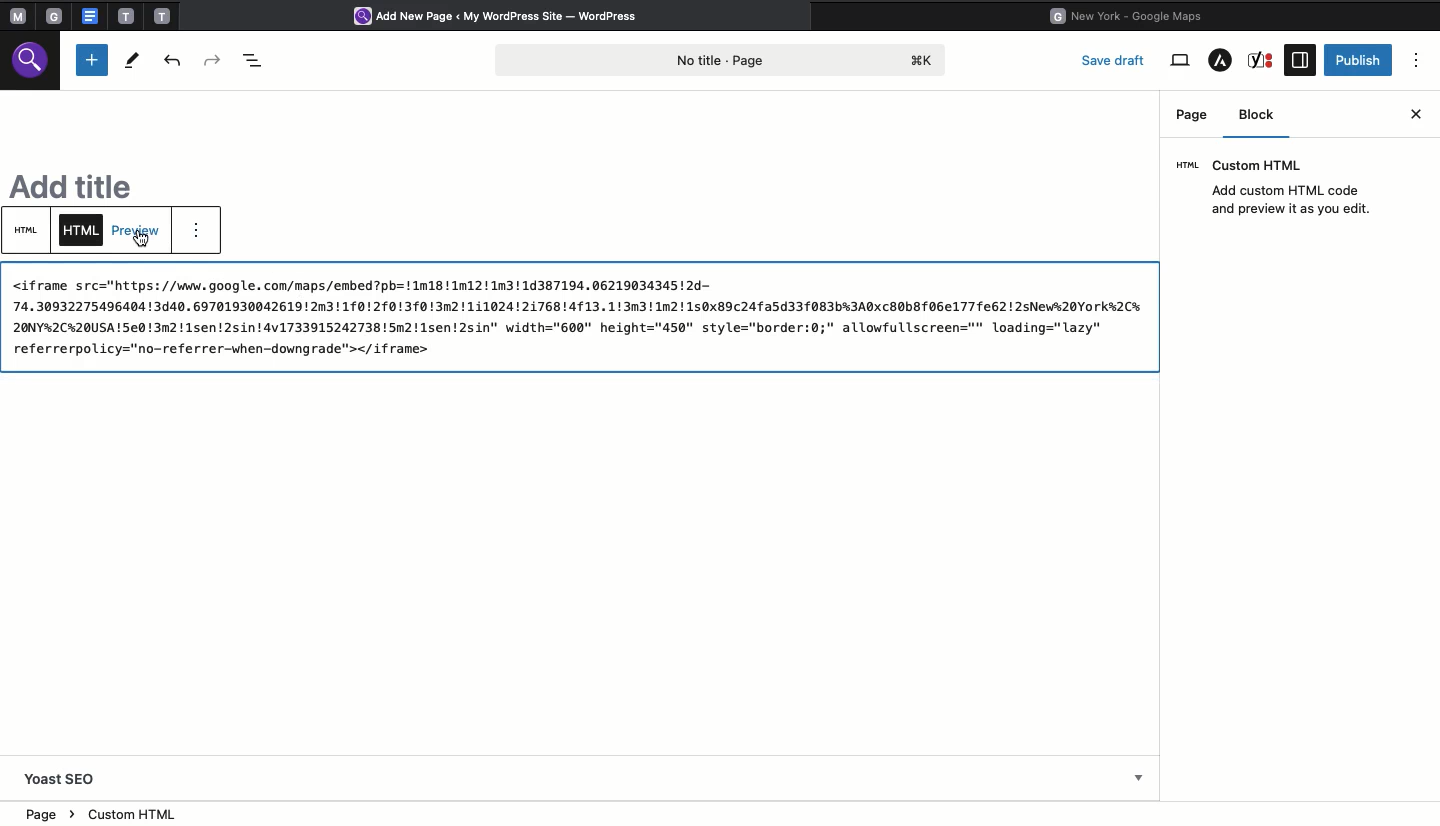 This screenshot has height=826, width=1440. I want to click on Google maps, so click(1133, 14).